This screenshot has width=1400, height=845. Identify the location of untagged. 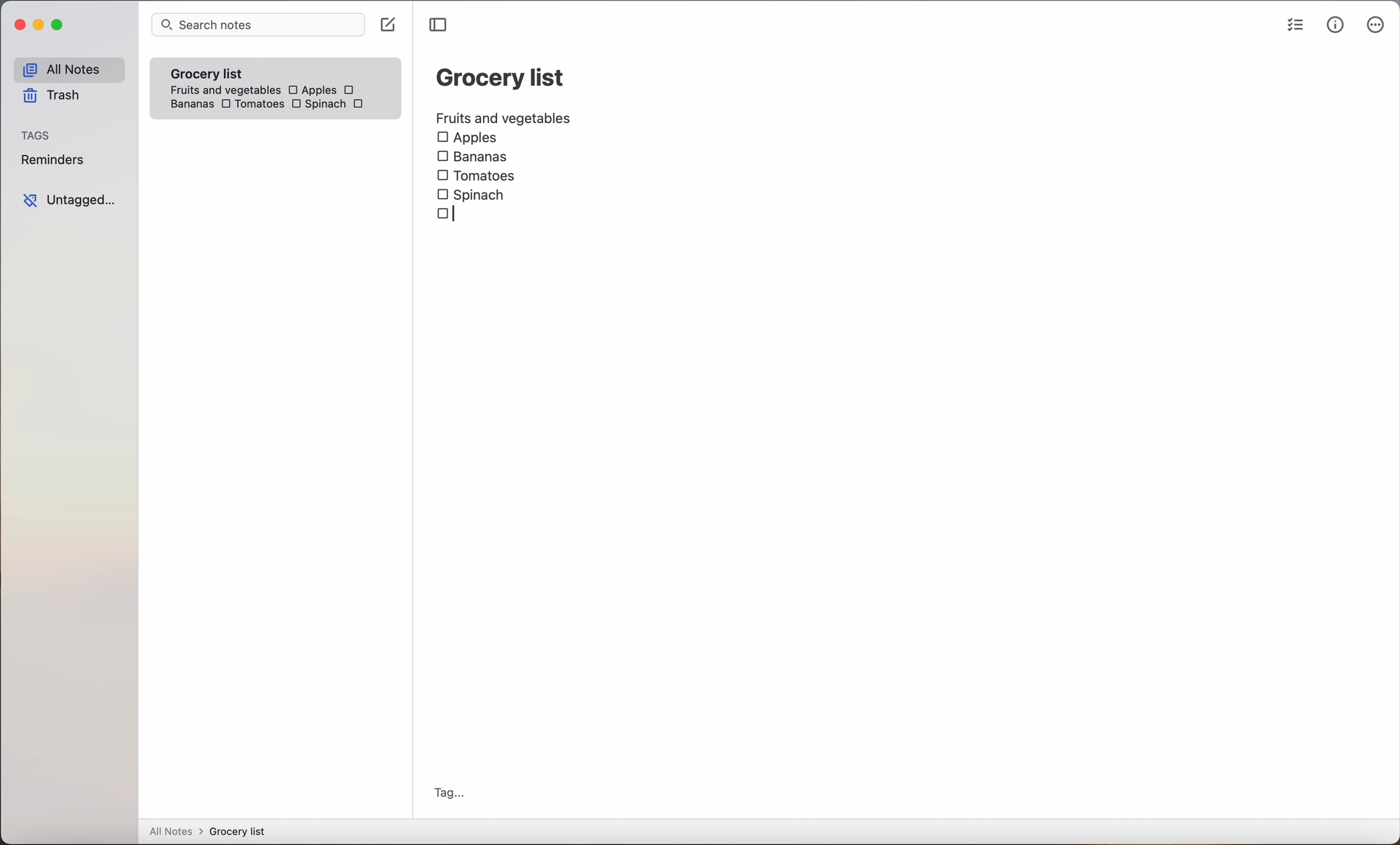
(69, 200).